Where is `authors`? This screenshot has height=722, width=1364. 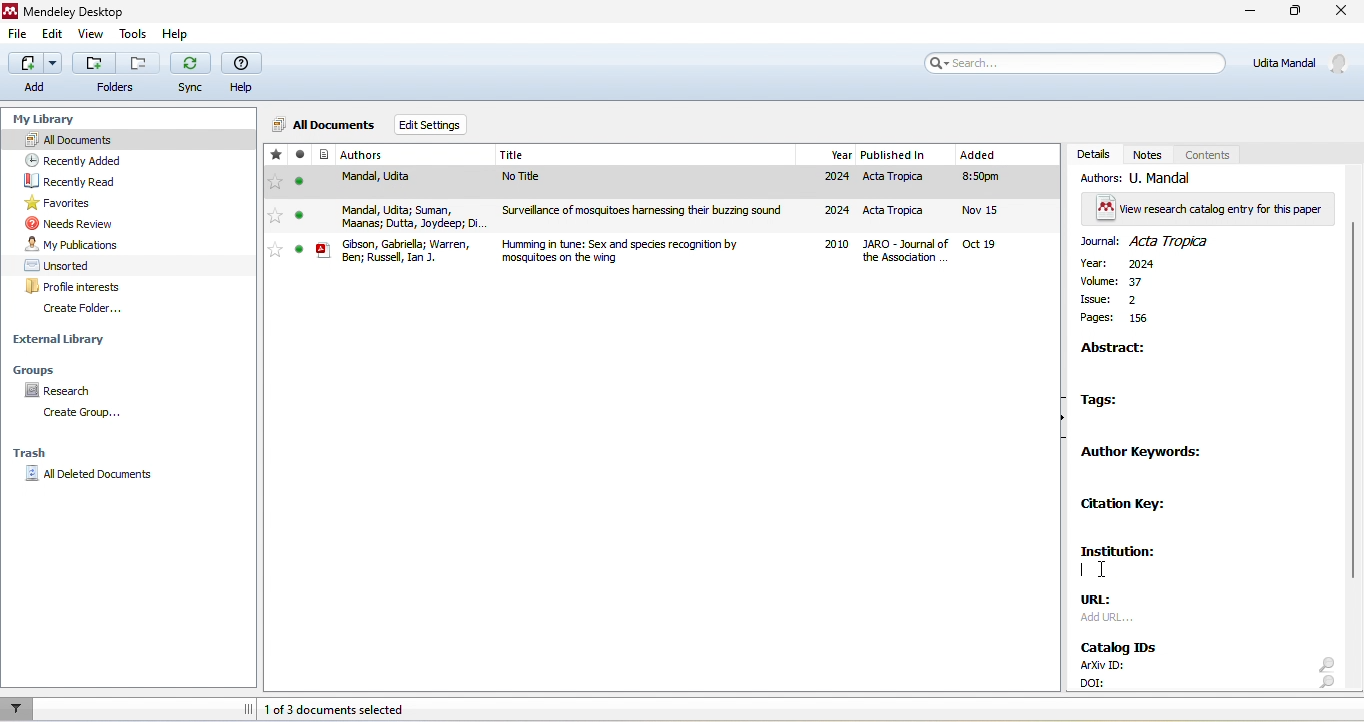 authors is located at coordinates (386, 156).